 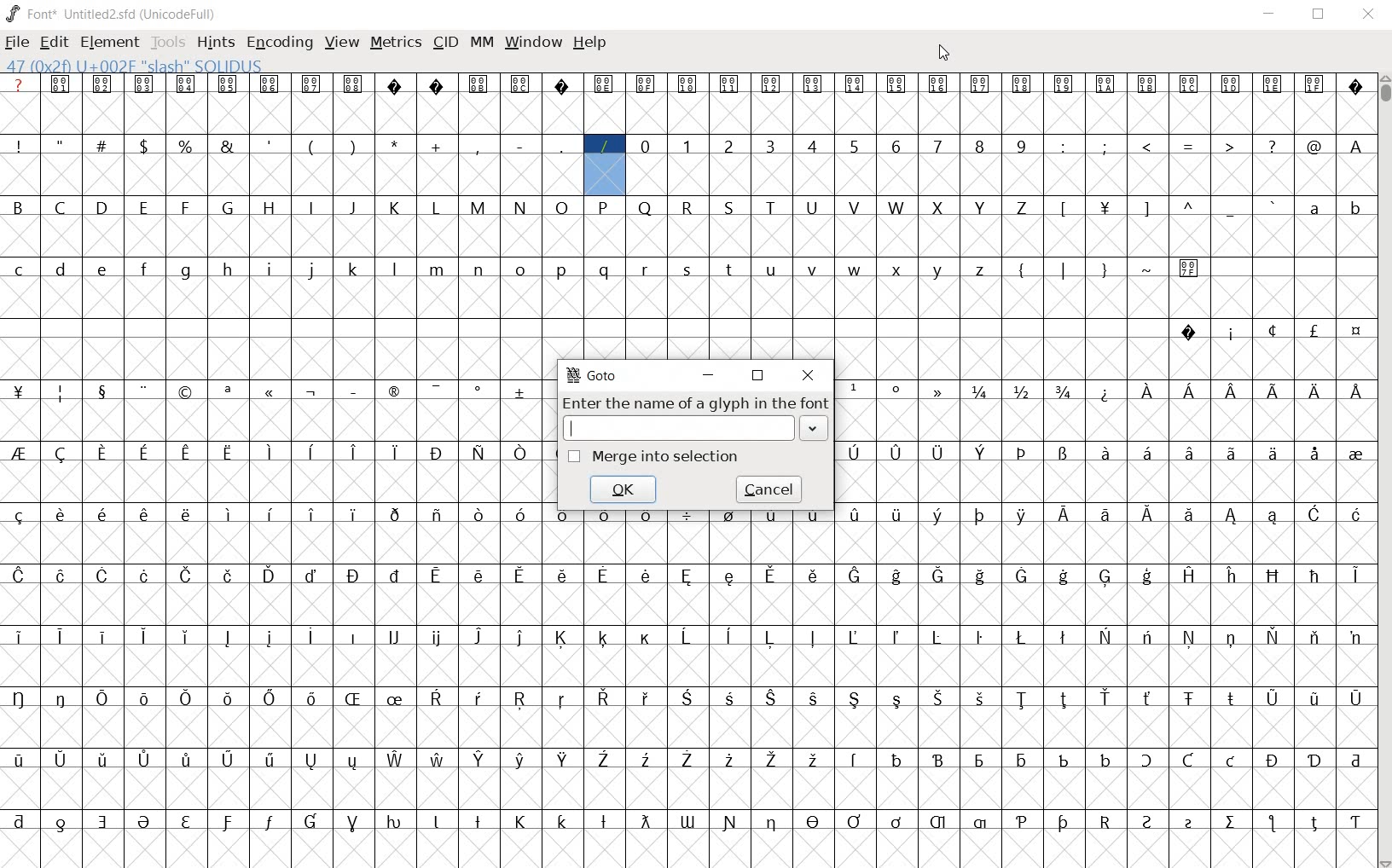 I want to click on glyph, so click(x=562, y=821).